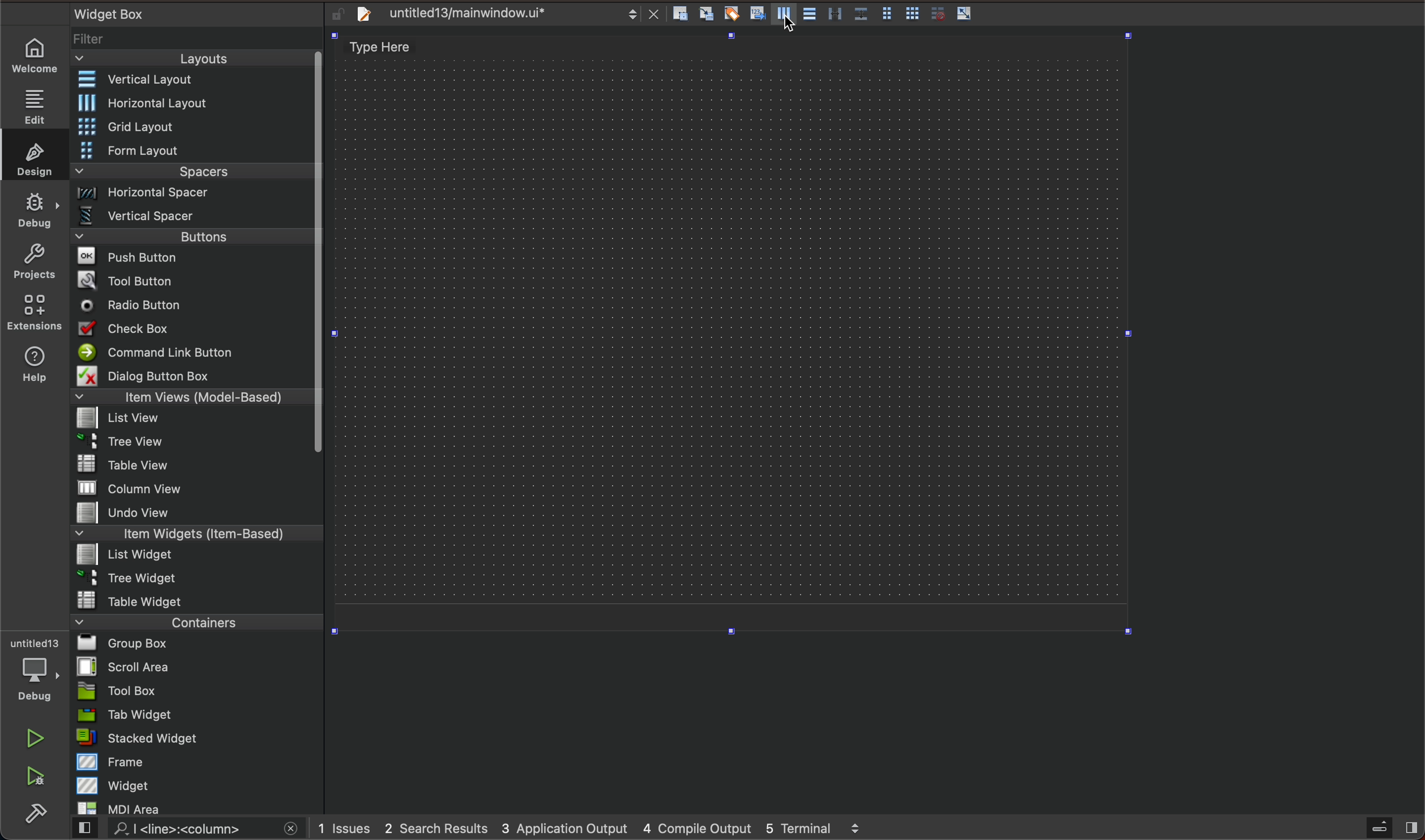  What do you see at coordinates (193, 556) in the screenshot?
I see `list widget` at bounding box center [193, 556].